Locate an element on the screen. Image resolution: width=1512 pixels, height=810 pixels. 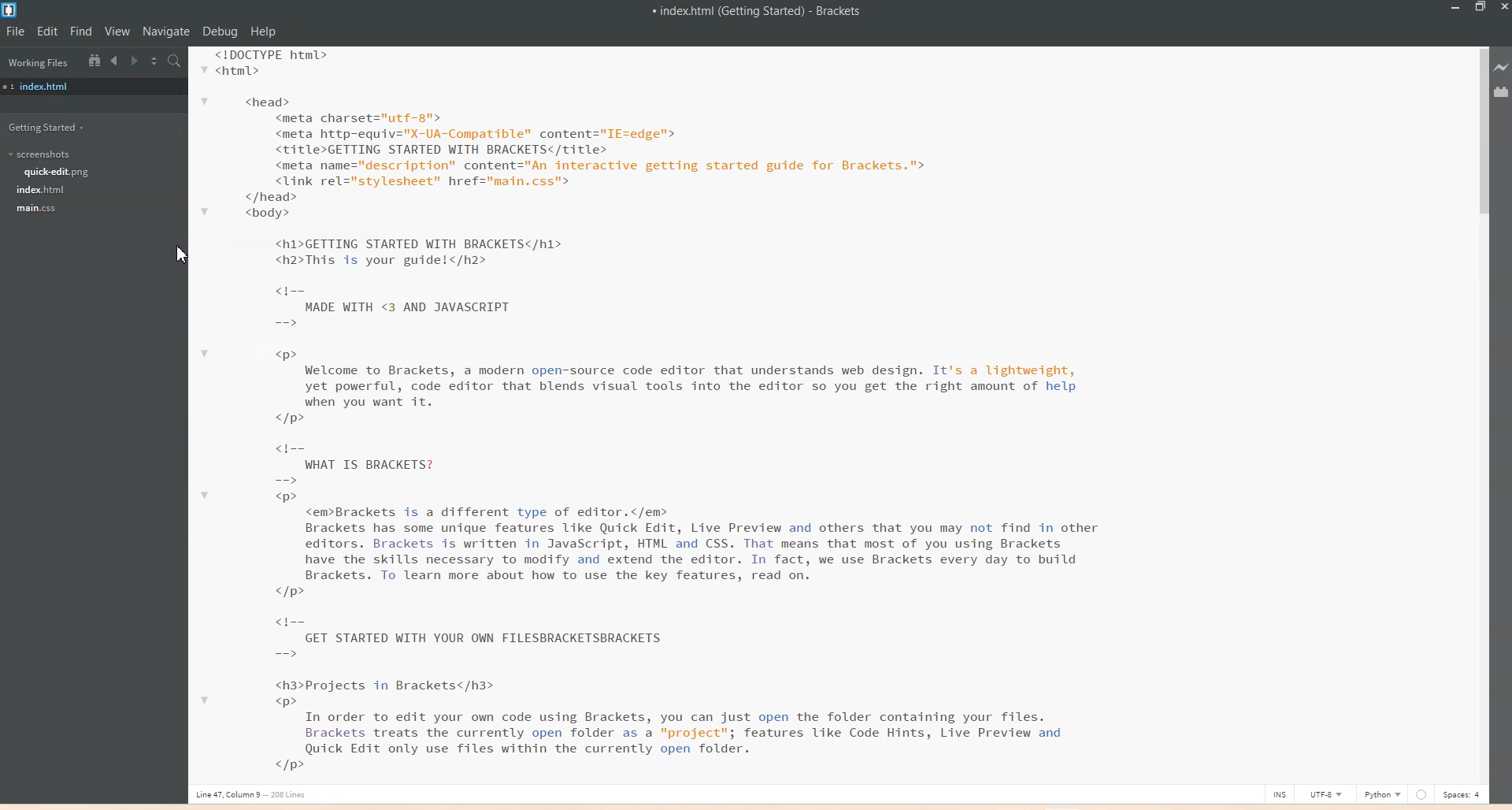
Find is located at coordinates (81, 31).